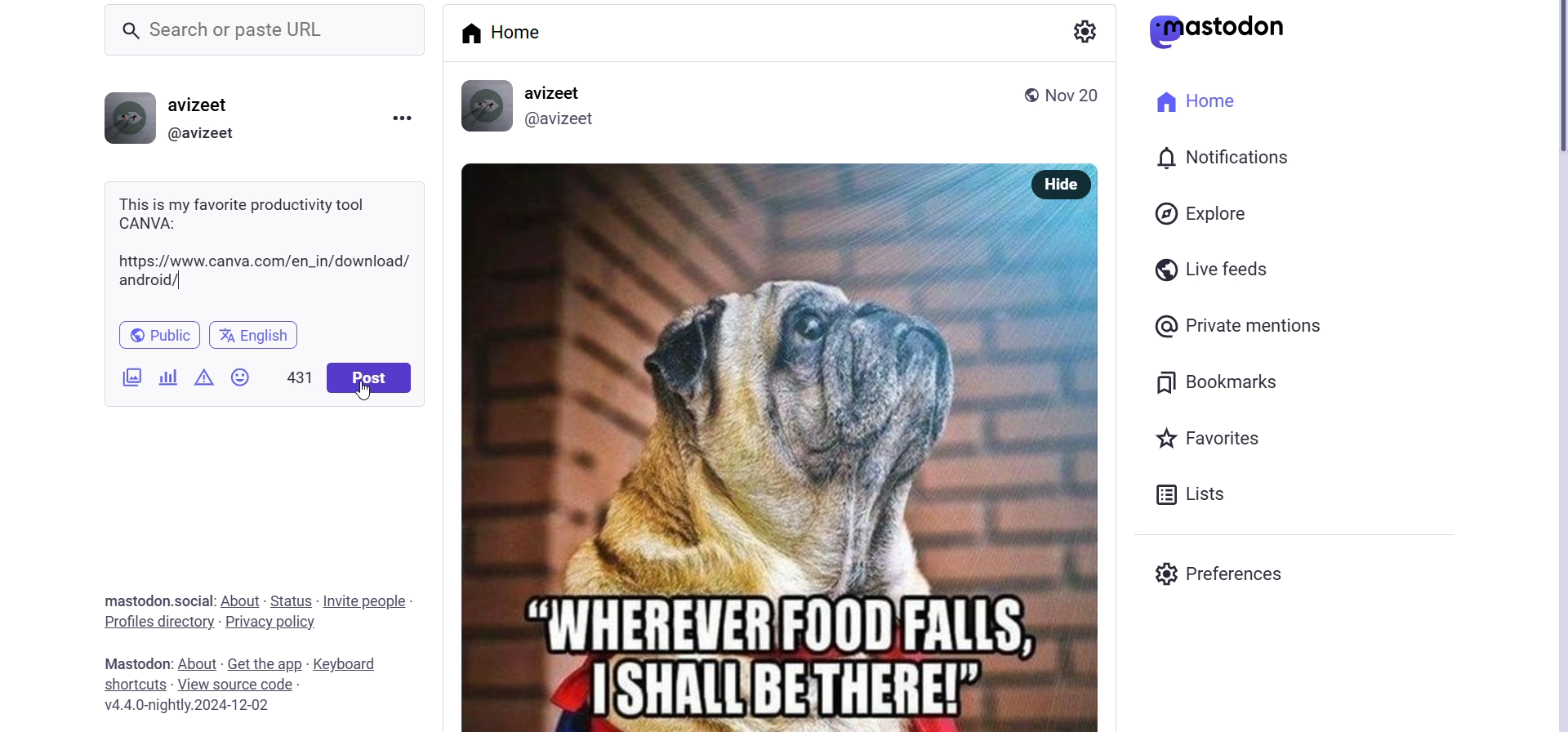 The width and height of the screenshot is (1568, 732). I want to click on mastodon social, so click(137, 601).